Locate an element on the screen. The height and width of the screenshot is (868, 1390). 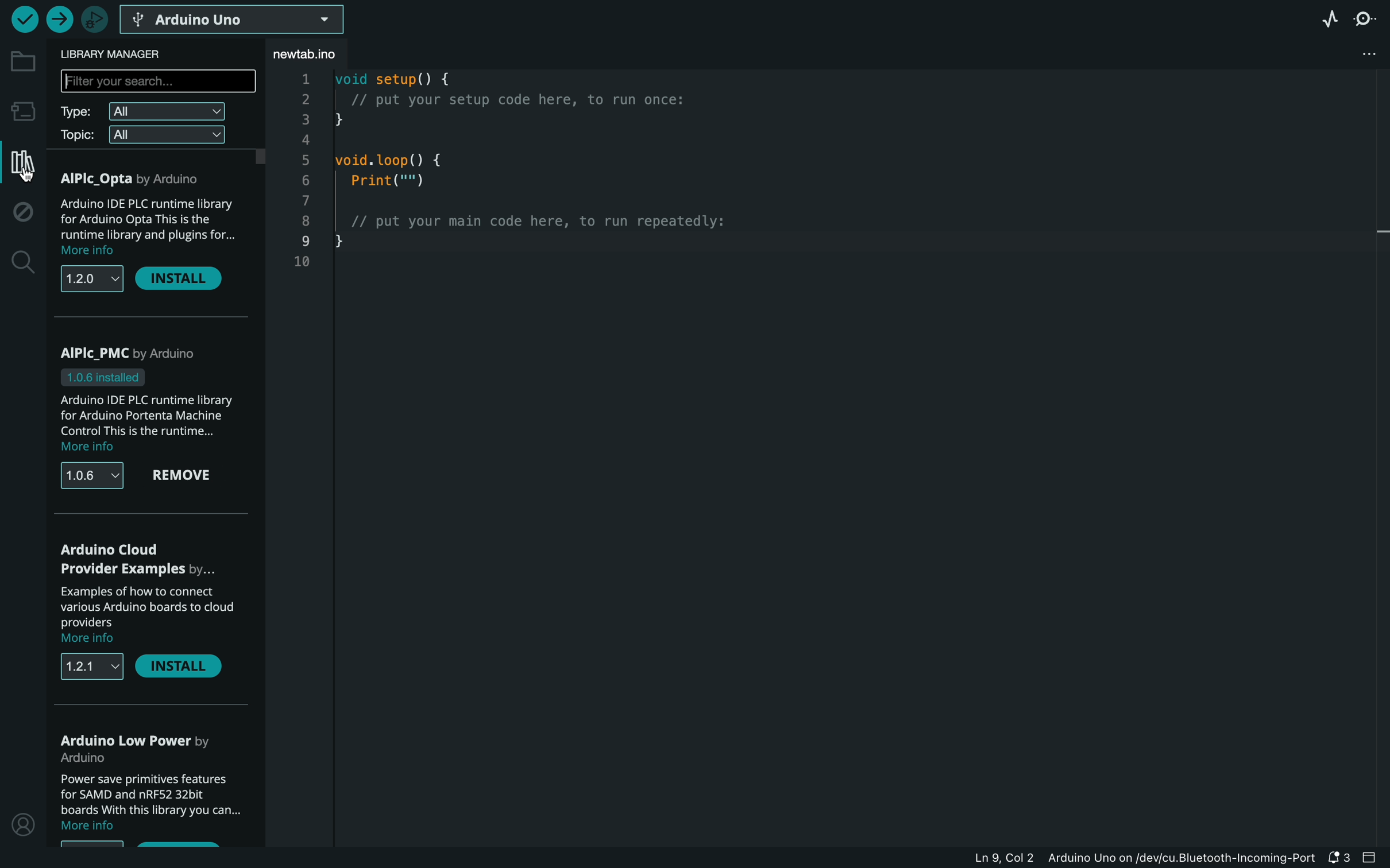
search bar is located at coordinates (159, 83).